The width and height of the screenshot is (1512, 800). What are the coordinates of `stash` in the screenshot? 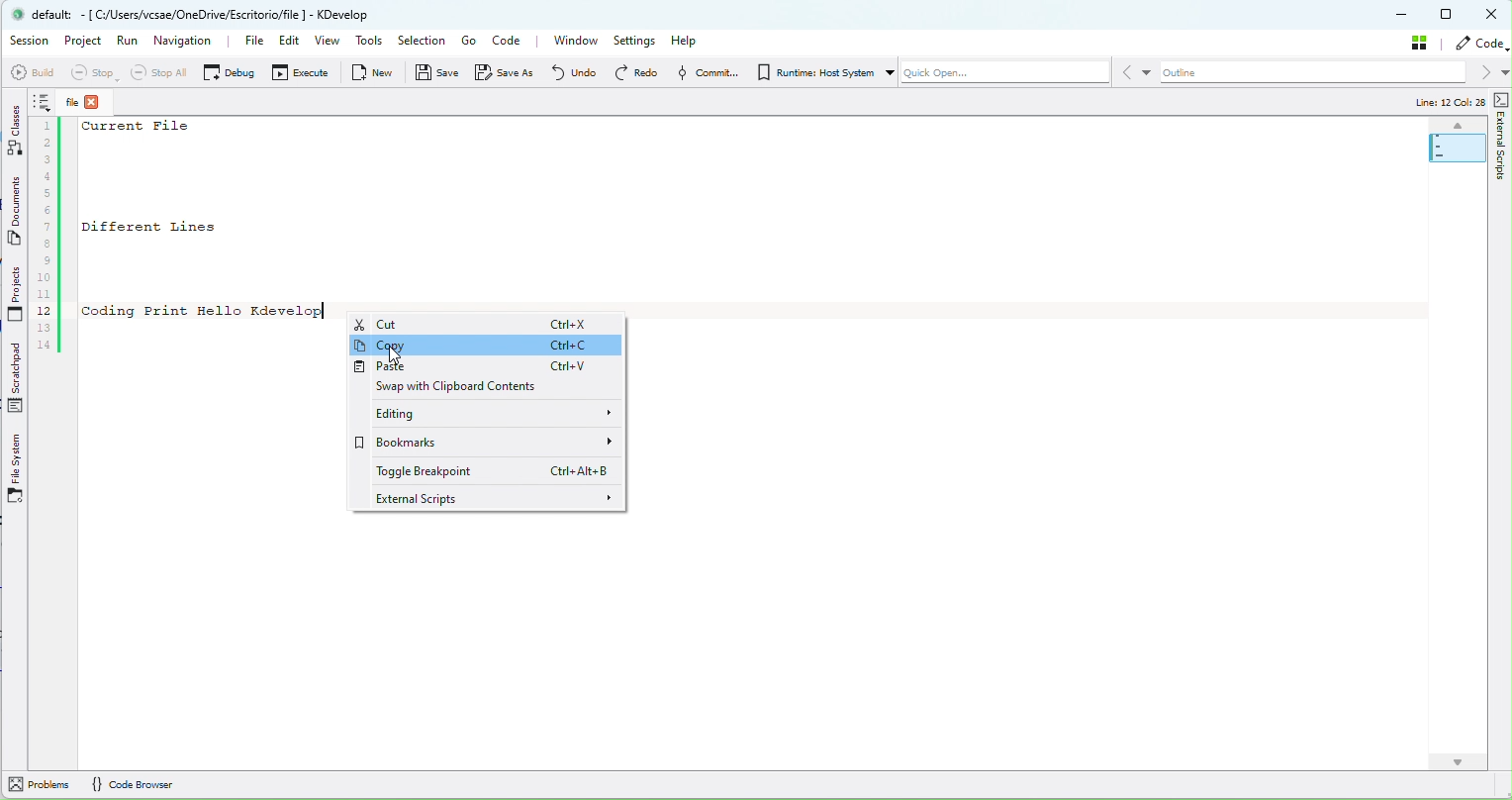 It's located at (1423, 42).